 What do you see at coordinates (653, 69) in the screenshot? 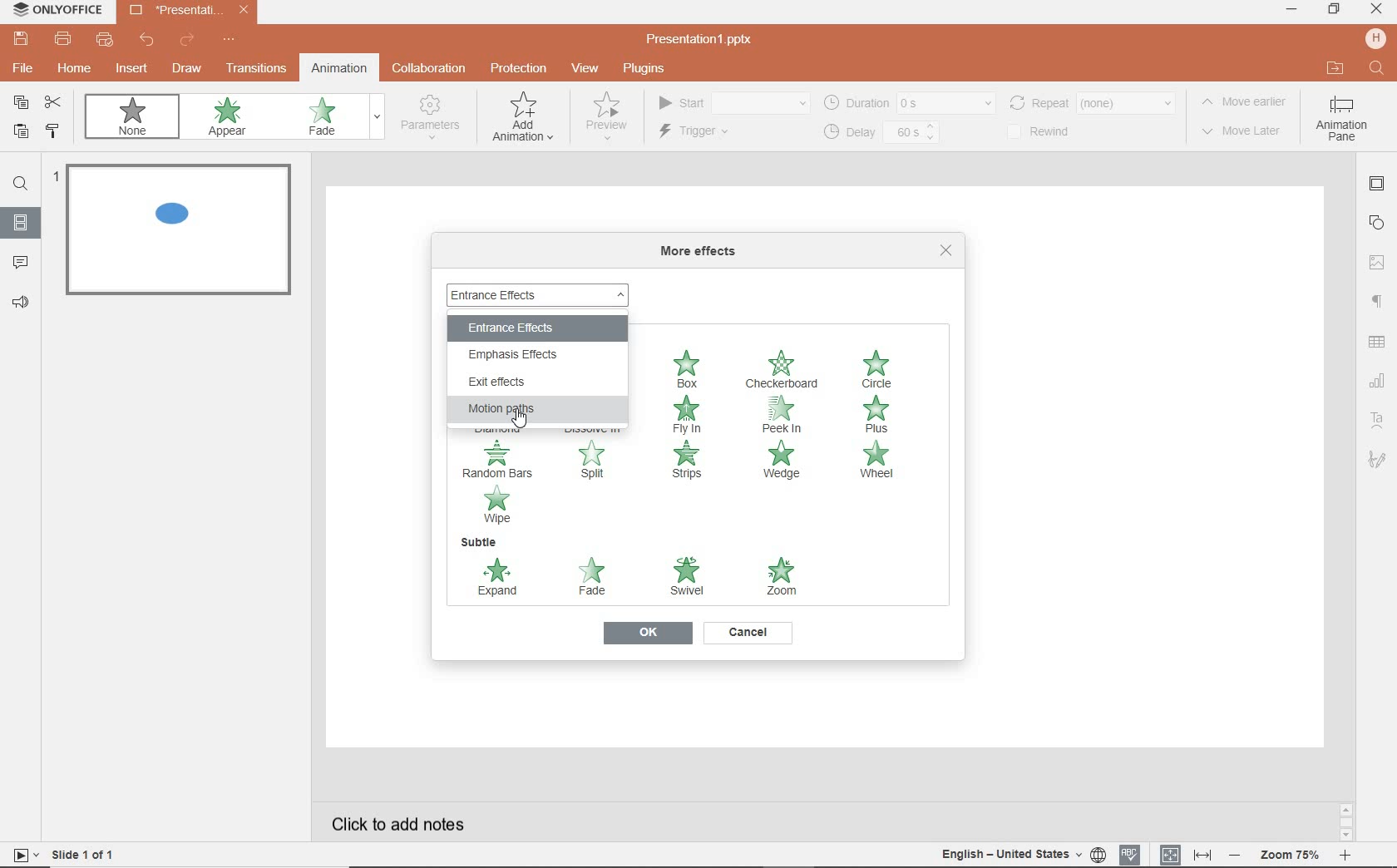
I see `plugins` at bounding box center [653, 69].